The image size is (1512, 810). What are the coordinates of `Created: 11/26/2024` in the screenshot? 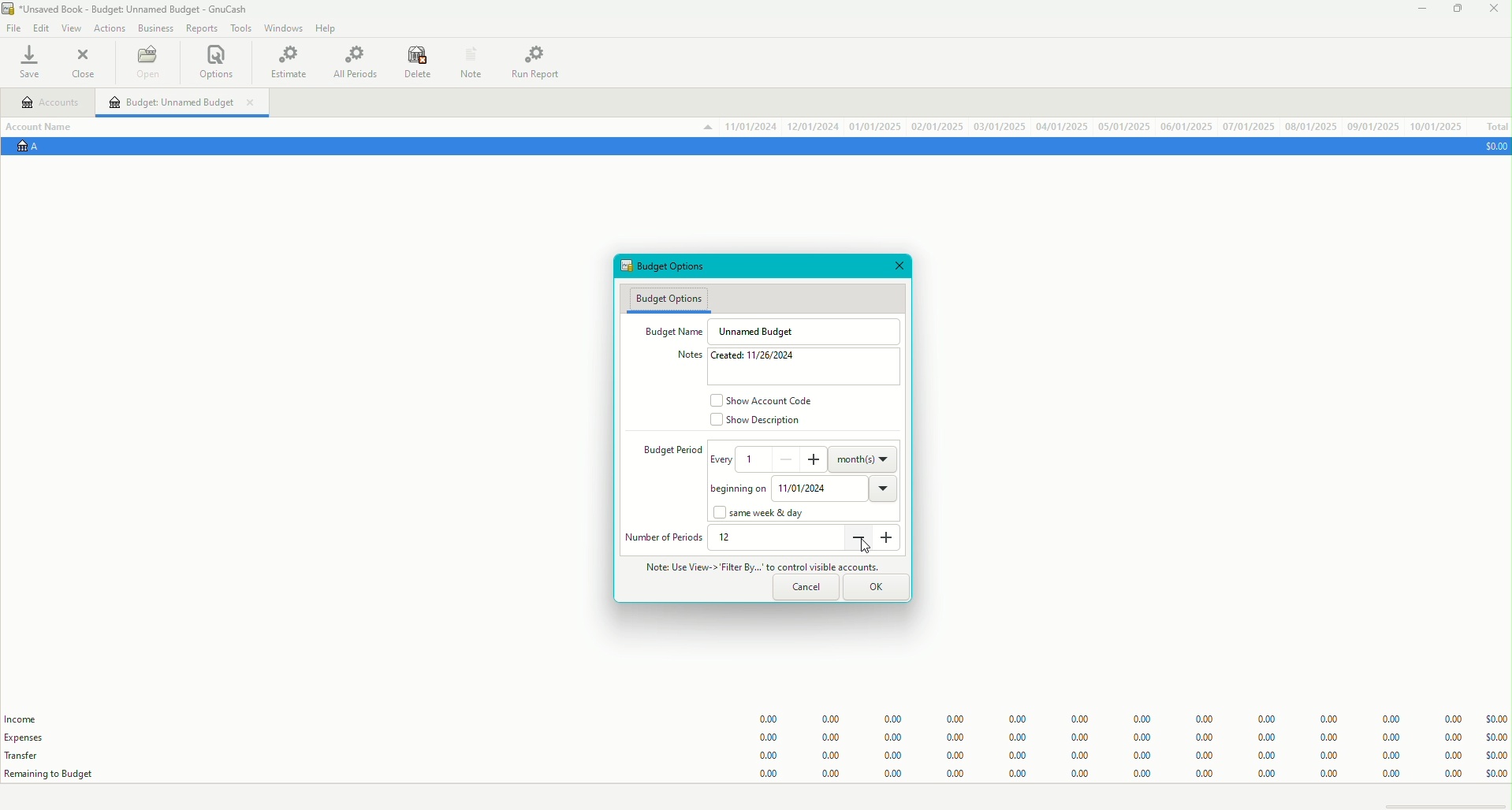 It's located at (761, 357).